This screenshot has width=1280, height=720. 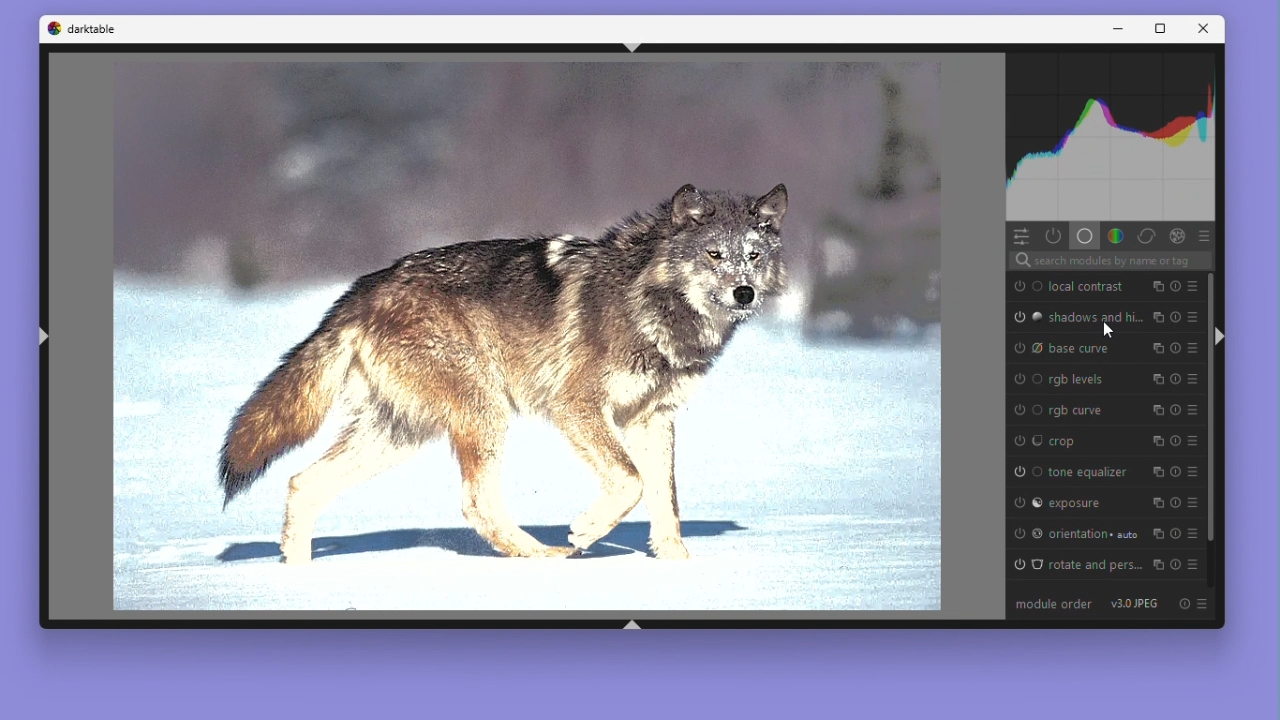 What do you see at coordinates (525, 333) in the screenshot?
I see `Image` at bounding box center [525, 333].